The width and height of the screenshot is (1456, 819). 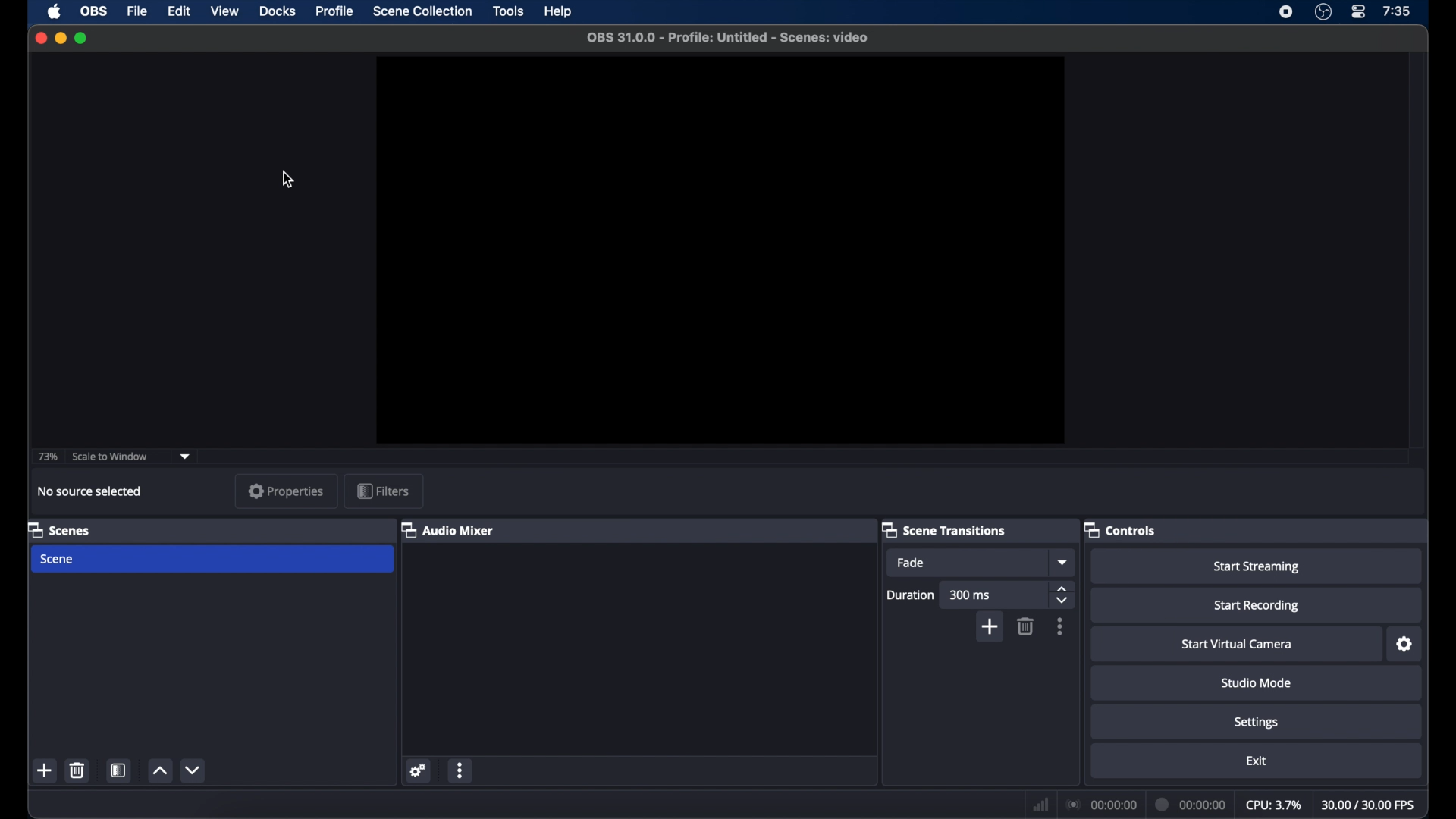 I want to click on increment, so click(x=161, y=770).